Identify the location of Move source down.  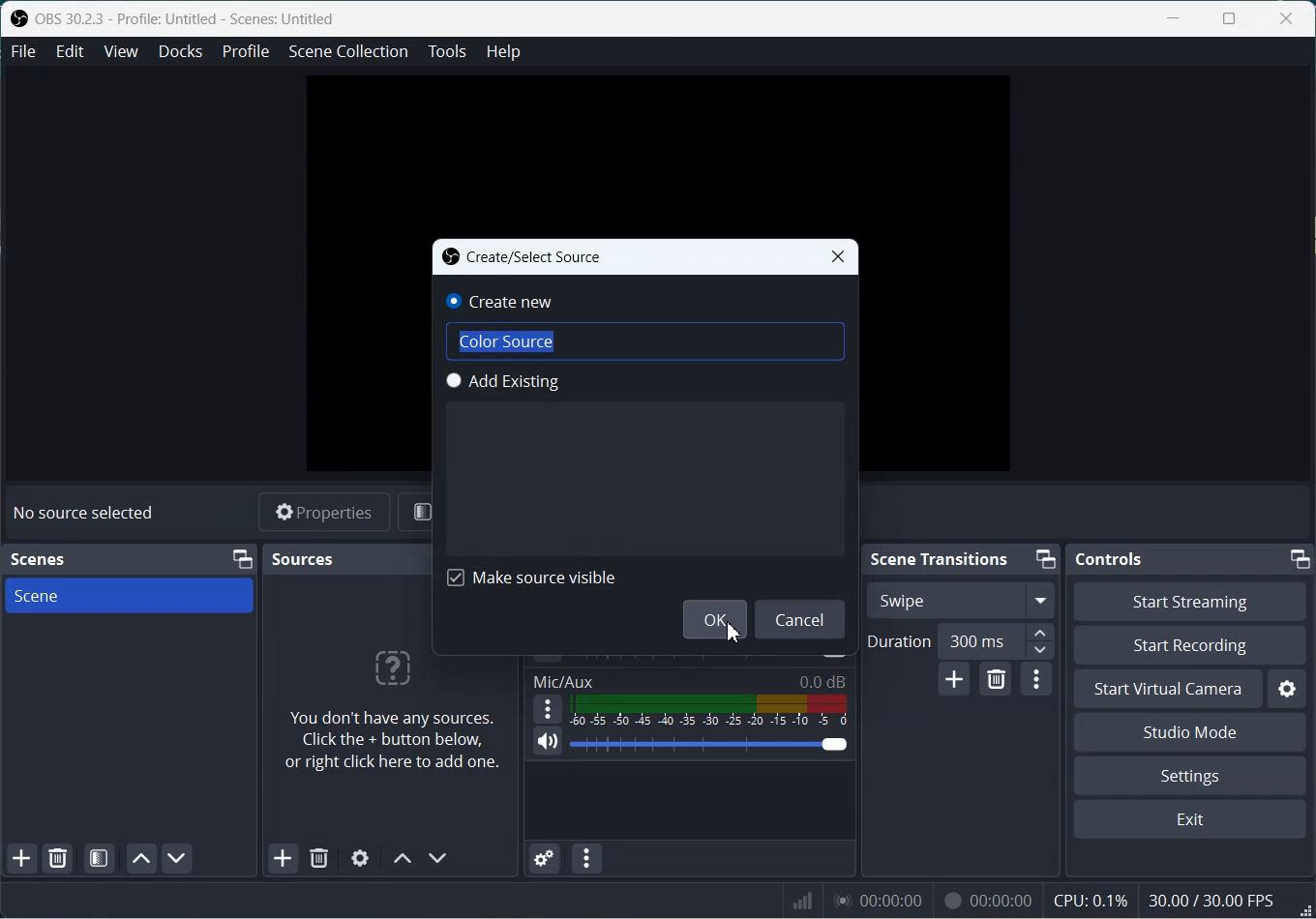
(438, 858).